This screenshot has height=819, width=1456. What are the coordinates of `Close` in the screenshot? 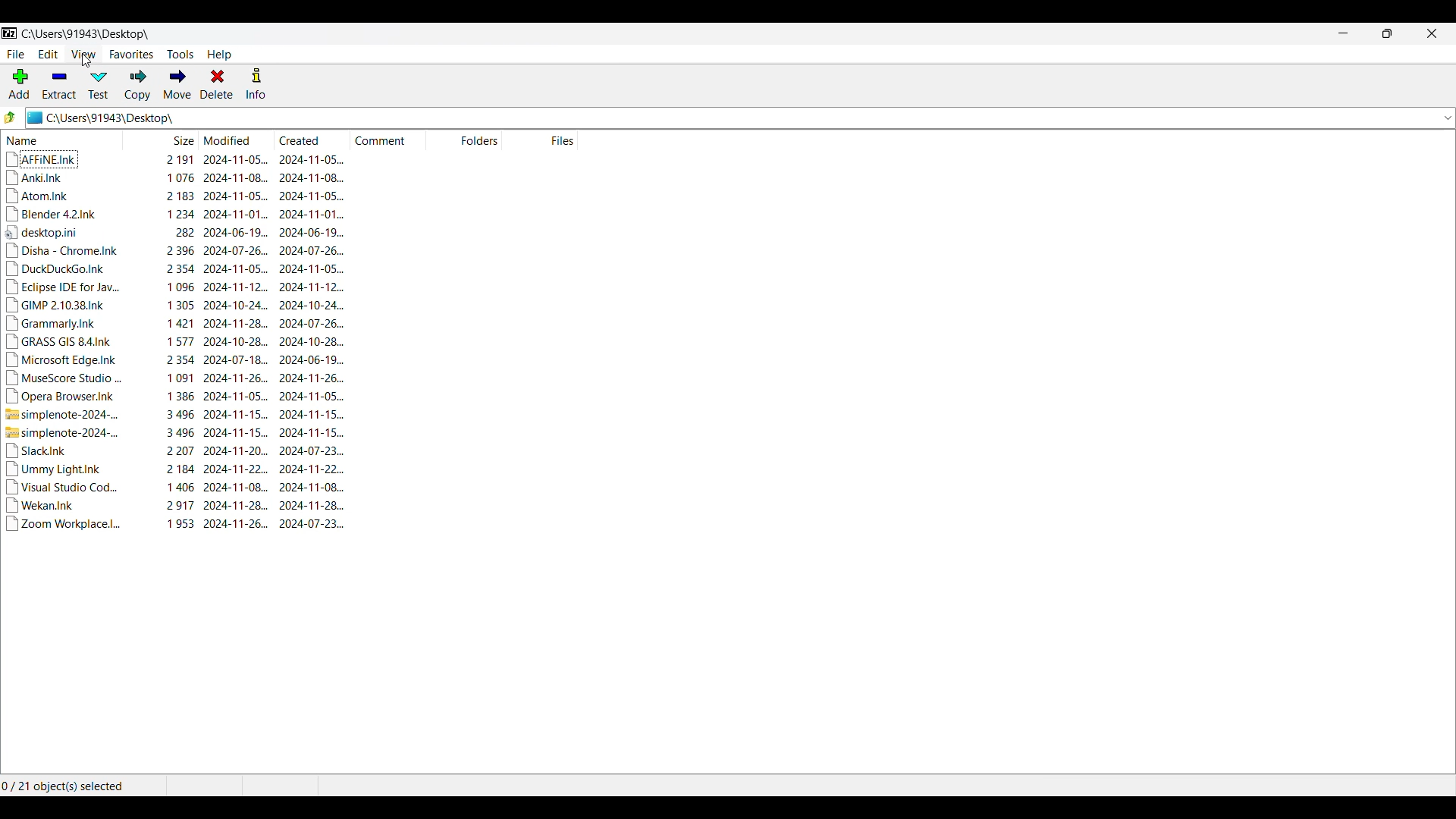 It's located at (1432, 33).